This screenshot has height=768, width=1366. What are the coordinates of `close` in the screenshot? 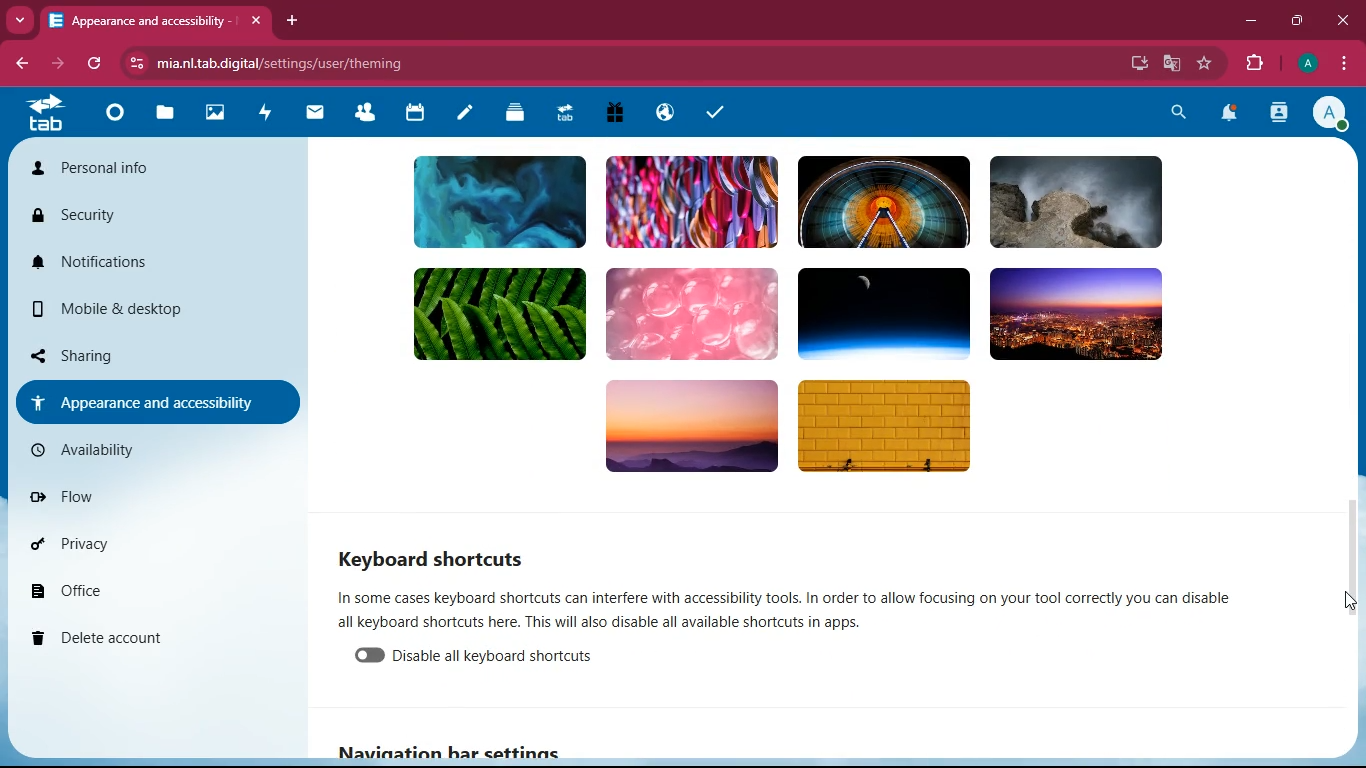 It's located at (1344, 21).